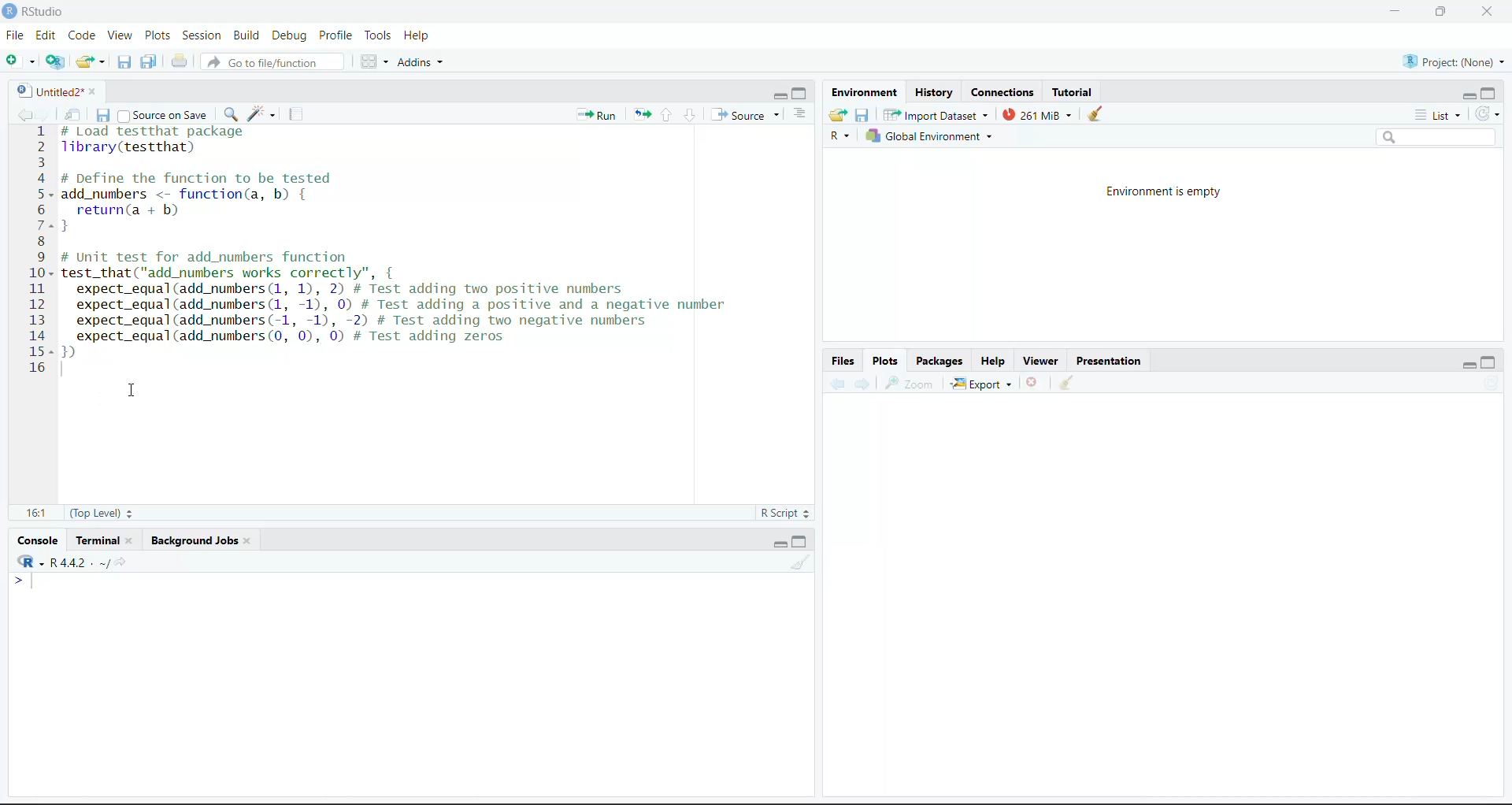 The image size is (1512, 805). I want to click on minimize, so click(1468, 95).